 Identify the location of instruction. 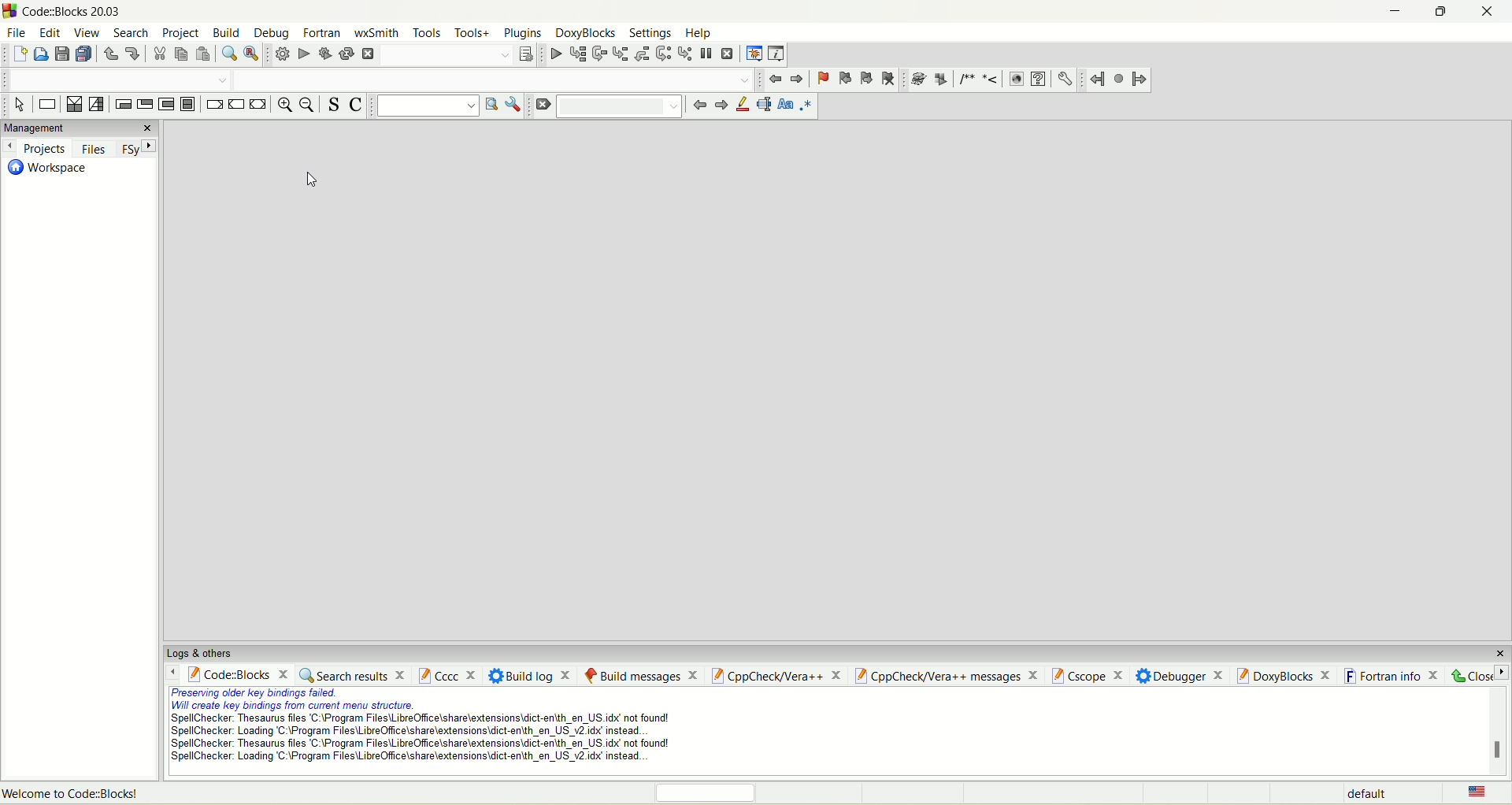
(47, 103).